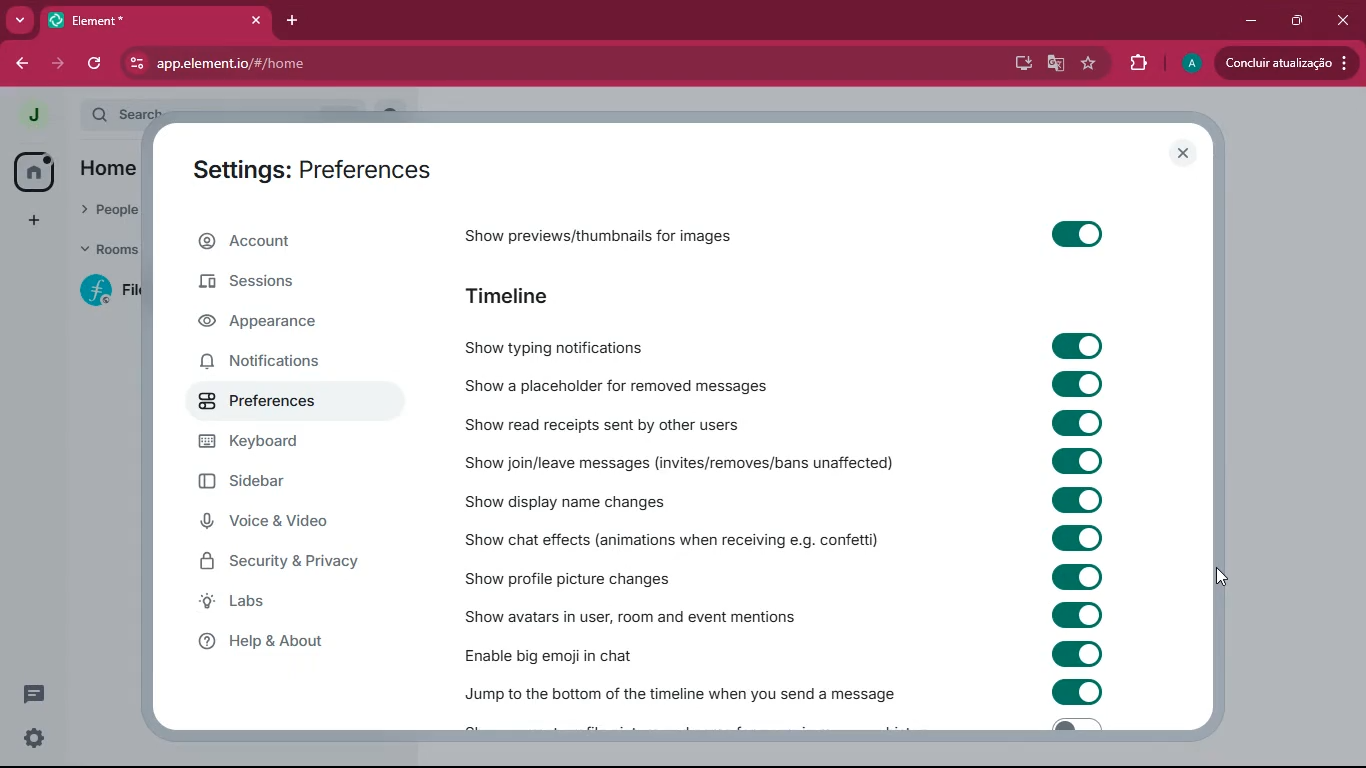 Image resolution: width=1366 pixels, height=768 pixels. Describe the element at coordinates (1021, 63) in the screenshot. I see `desktop` at that location.